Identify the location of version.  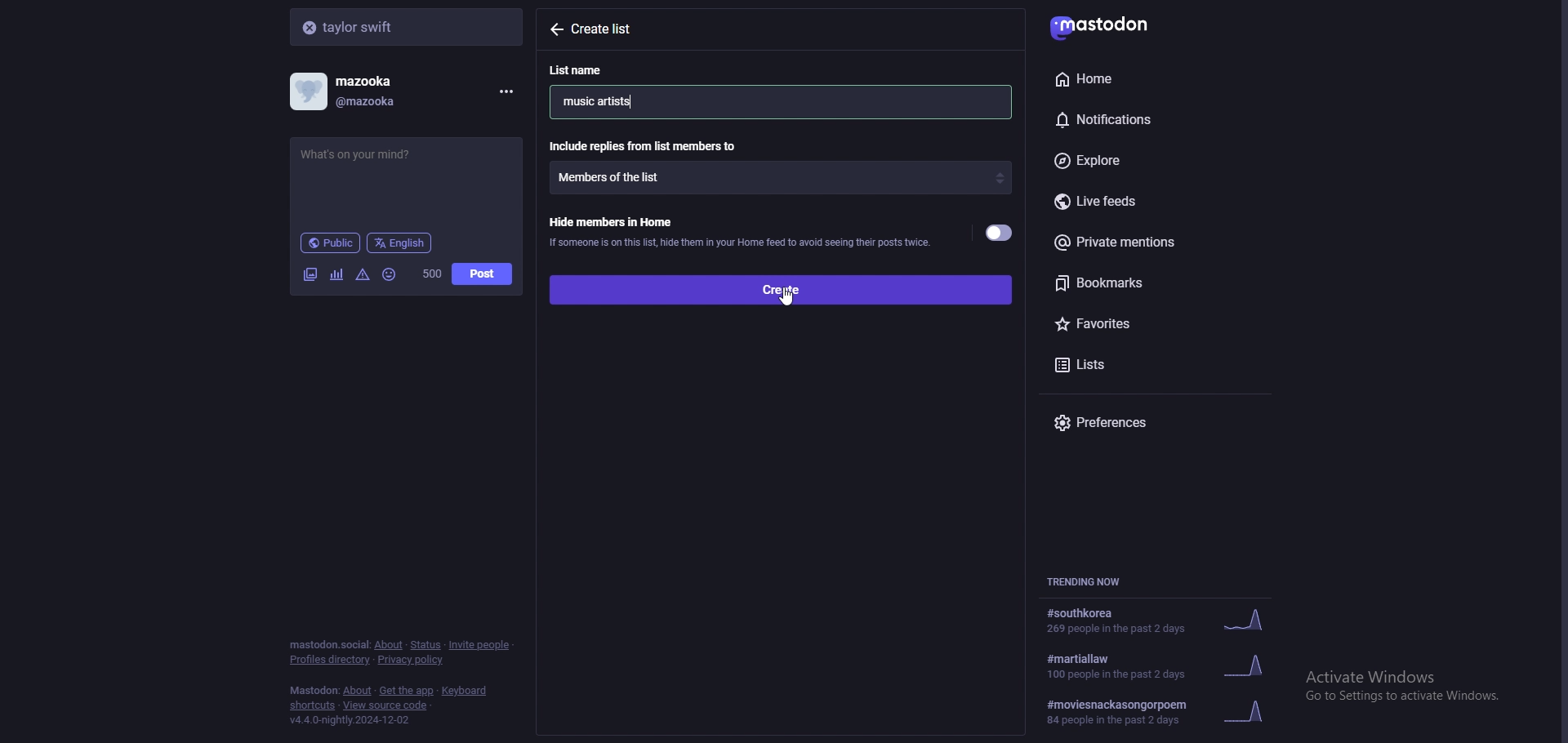
(349, 720).